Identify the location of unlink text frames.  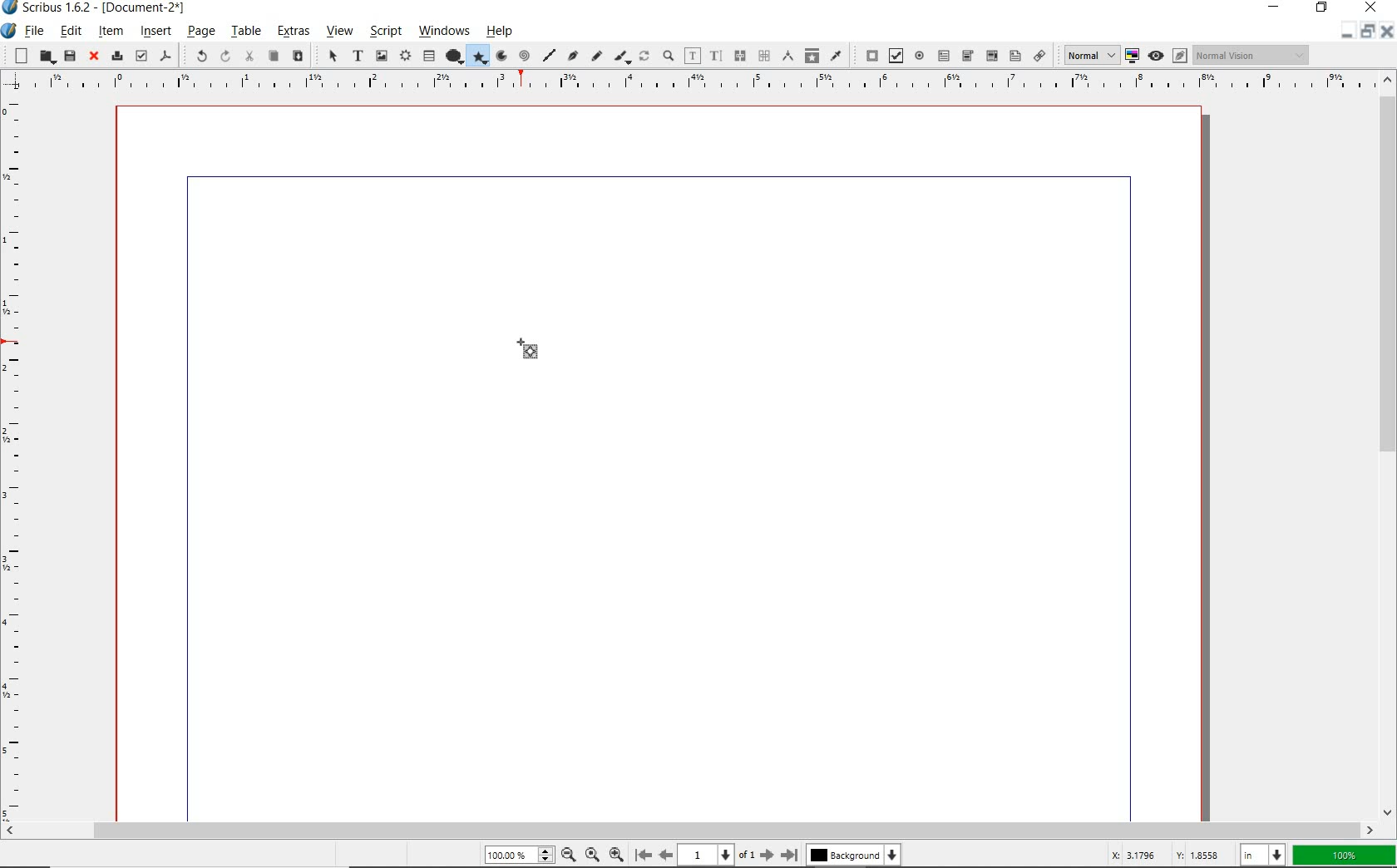
(763, 55).